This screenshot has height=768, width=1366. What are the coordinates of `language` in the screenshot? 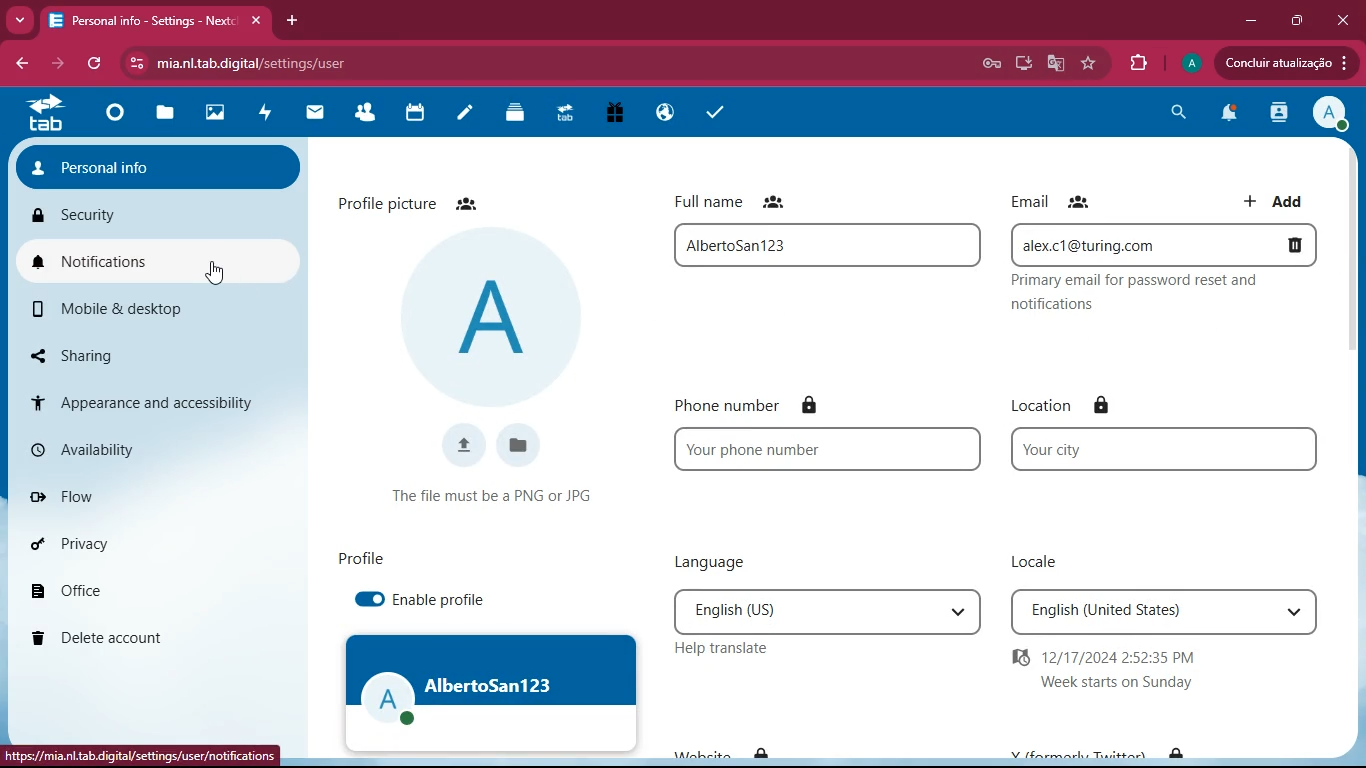 It's located at (828, 609).